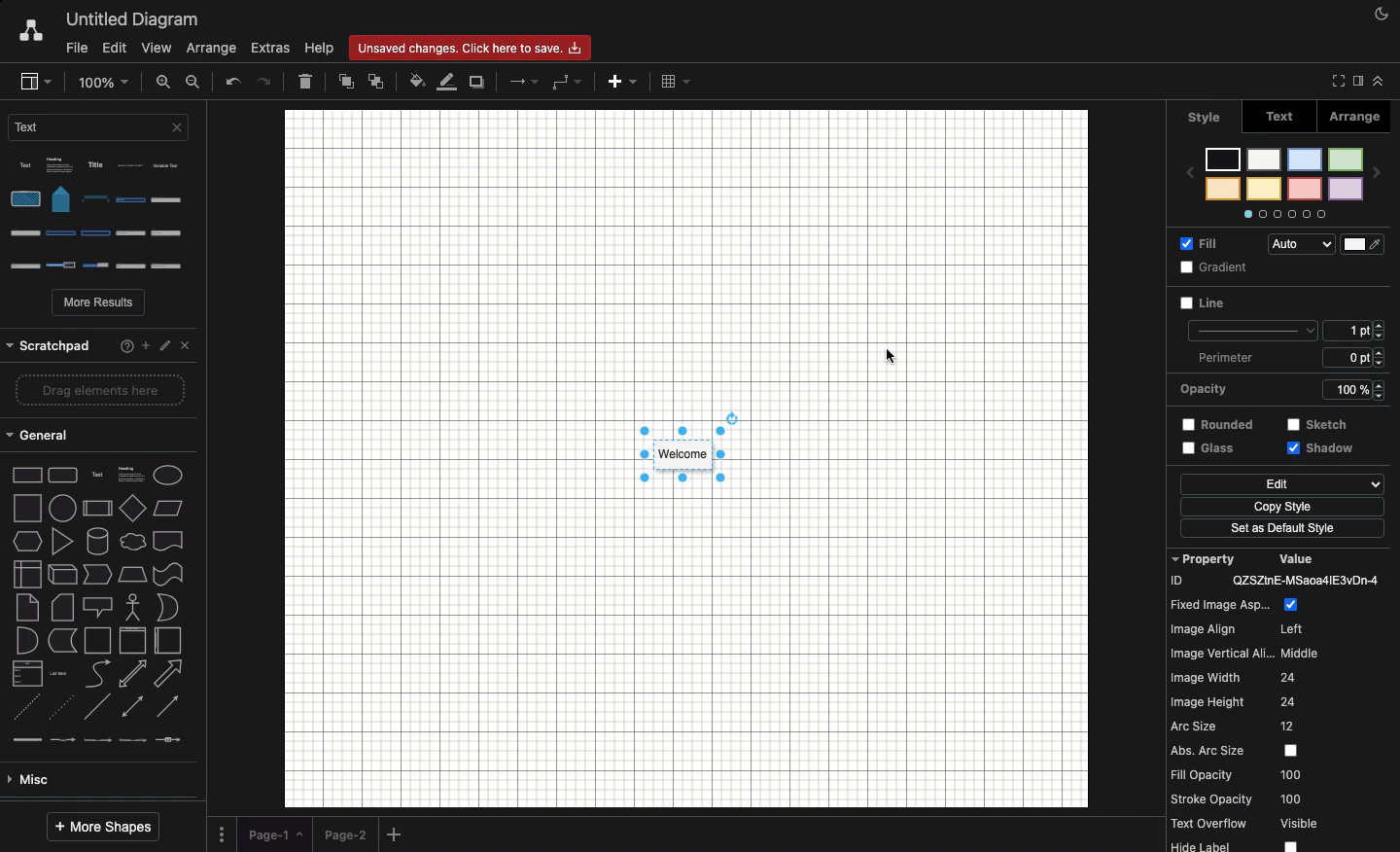 This screenshot has width=1400, height=852. I want to click on Page 1, so click(274, 832).